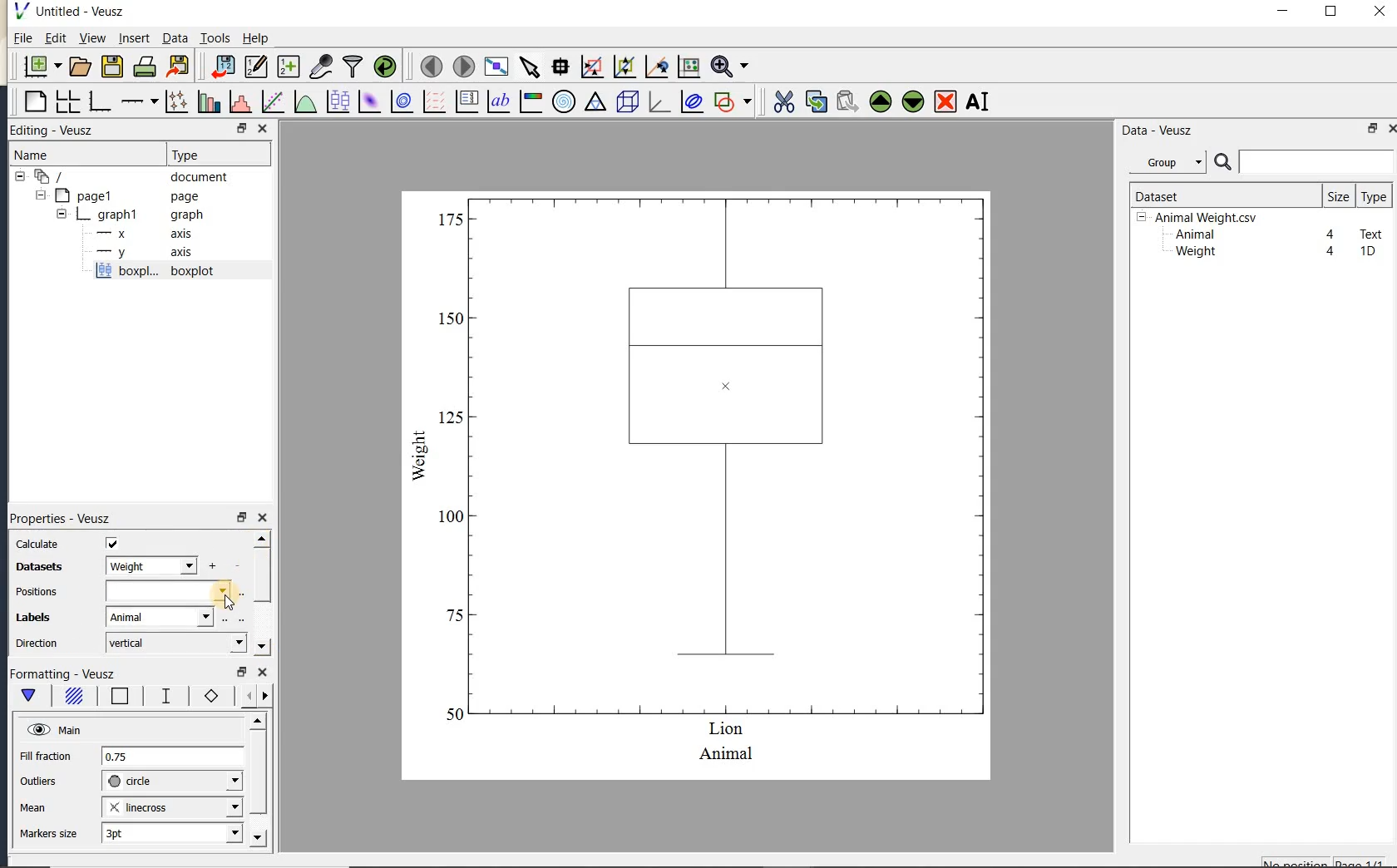 This screenshot has width=1397, height=868. I want to click on add an axis to the plot, so click(139, 101).